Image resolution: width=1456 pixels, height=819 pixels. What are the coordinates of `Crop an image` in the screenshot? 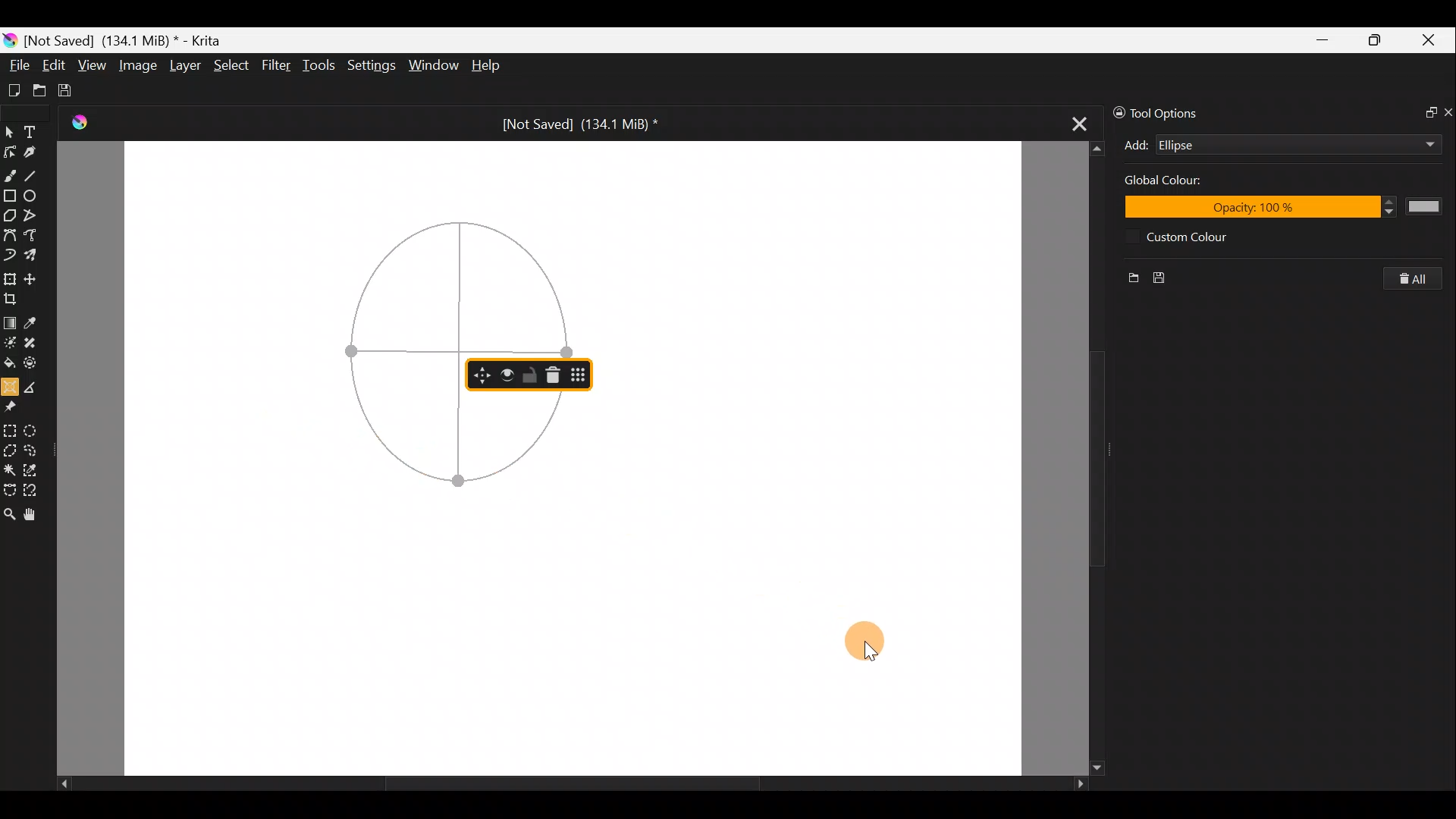 It's located at (14, 297).